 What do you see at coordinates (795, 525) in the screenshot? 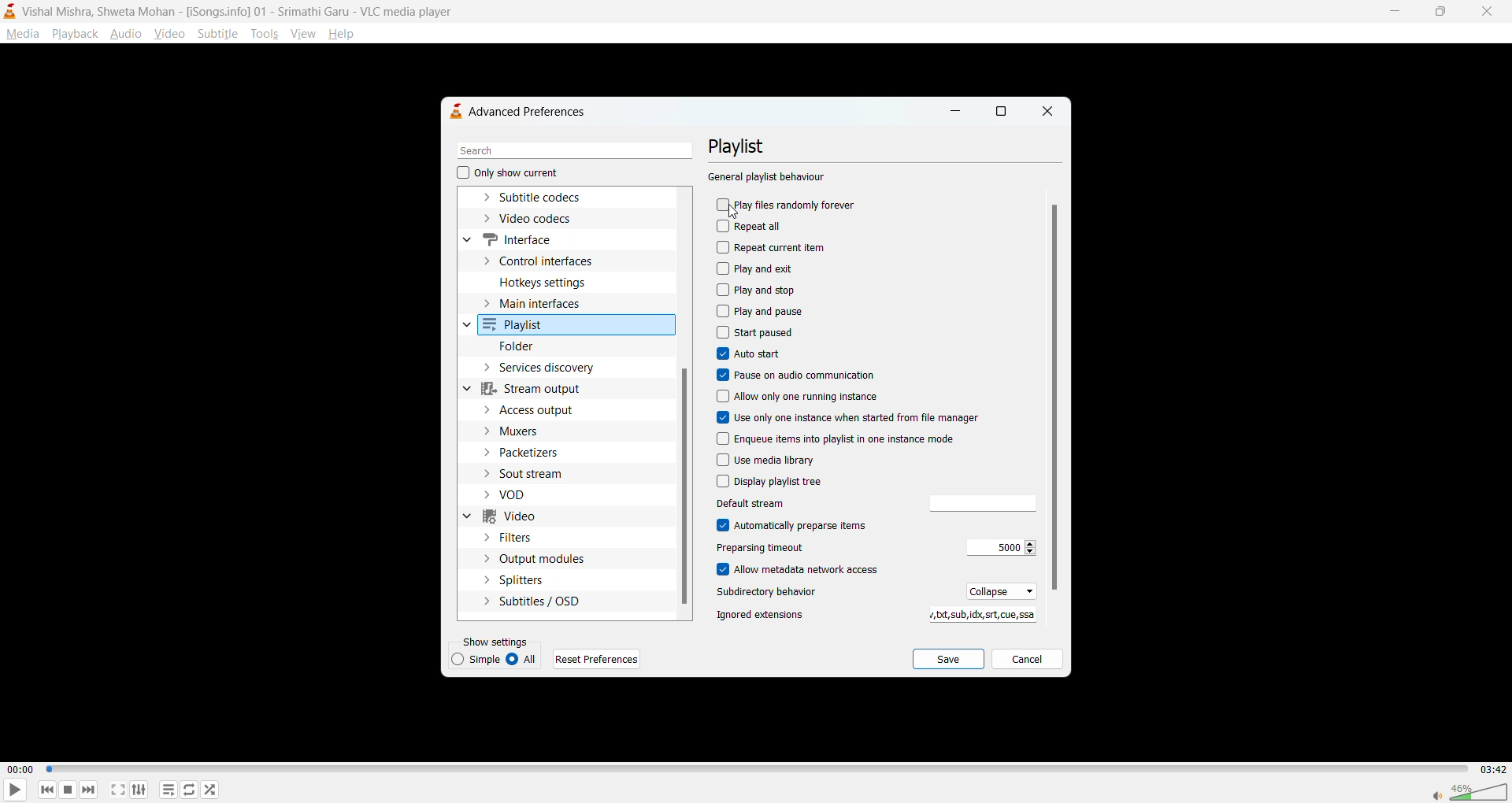
I see `automatically preparse items` at bounding box center [795, 525].